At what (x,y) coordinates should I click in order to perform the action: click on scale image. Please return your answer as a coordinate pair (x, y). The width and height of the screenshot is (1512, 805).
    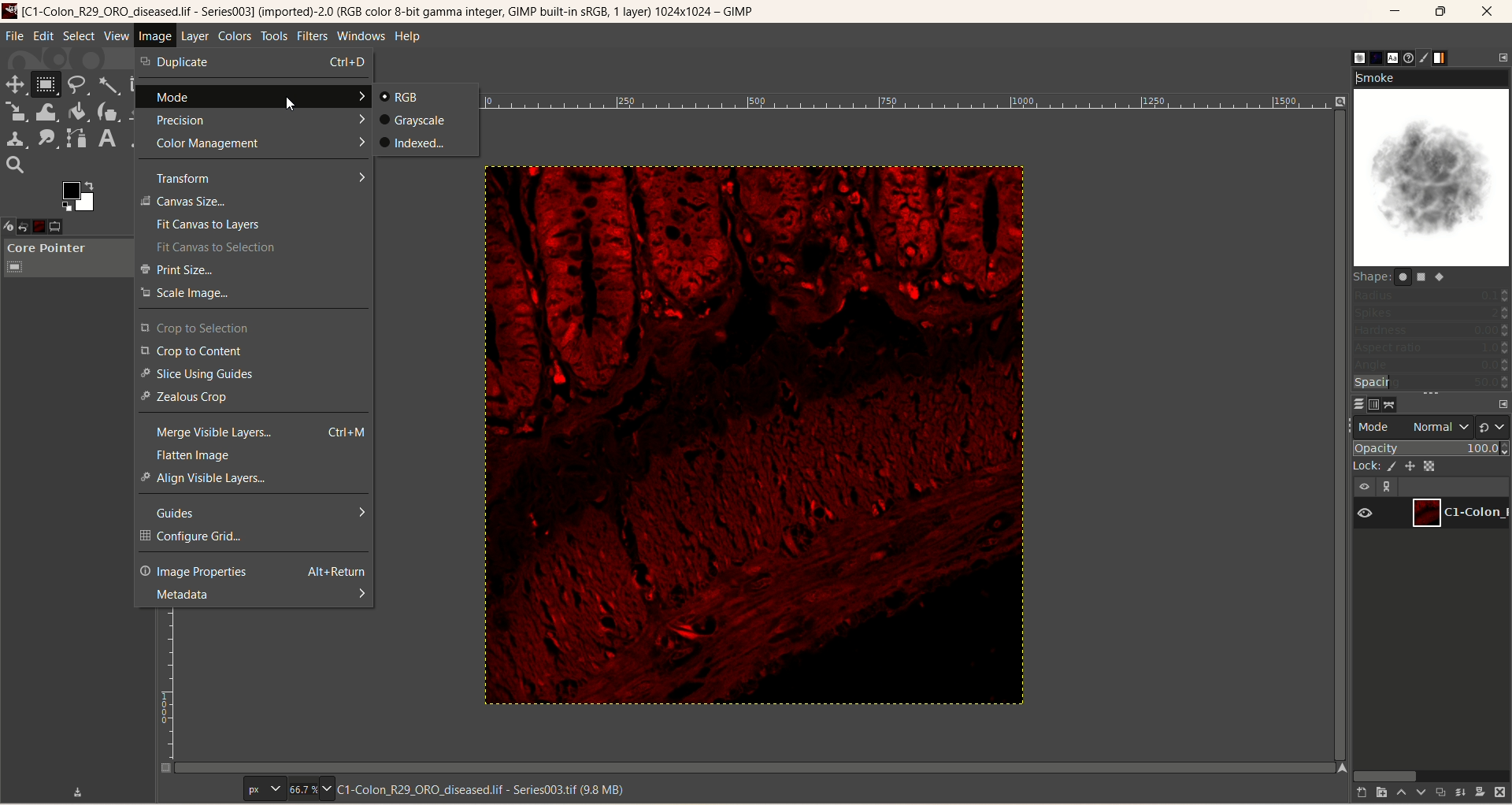
    Looking at the image, I should click on (252, 294).